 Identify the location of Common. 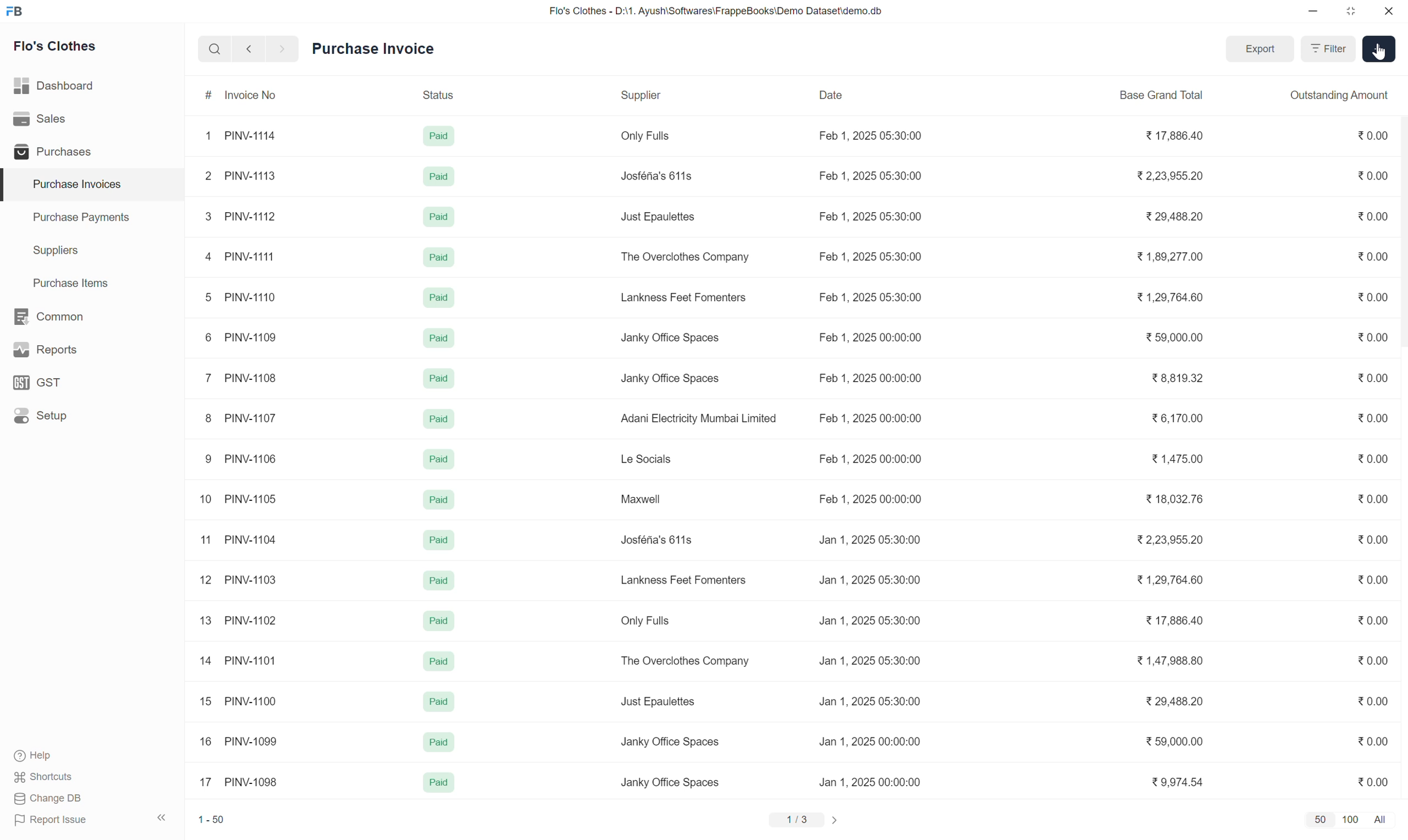
(92, 316).